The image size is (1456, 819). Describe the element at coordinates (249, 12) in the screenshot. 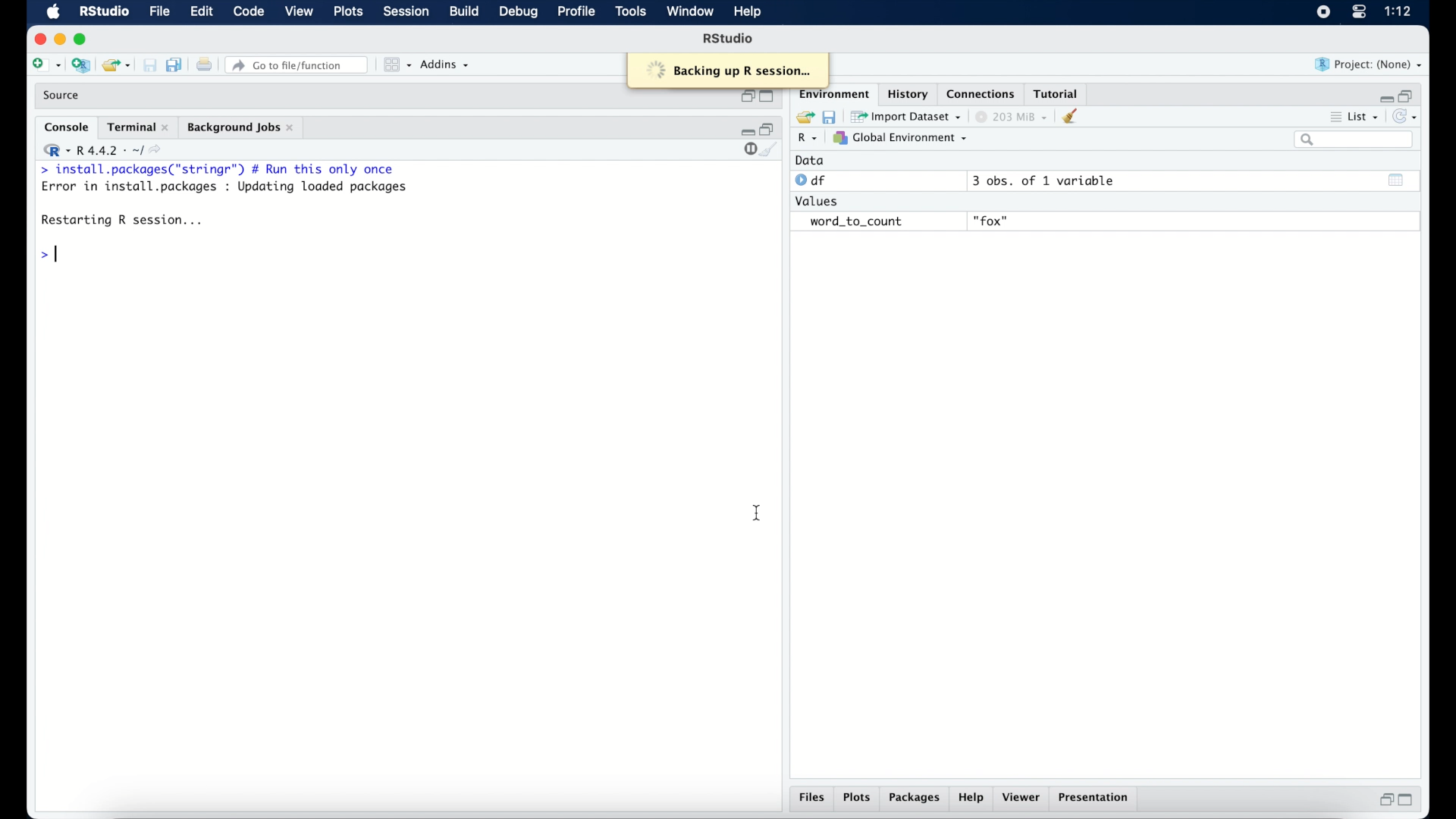

I see `code` at that location.